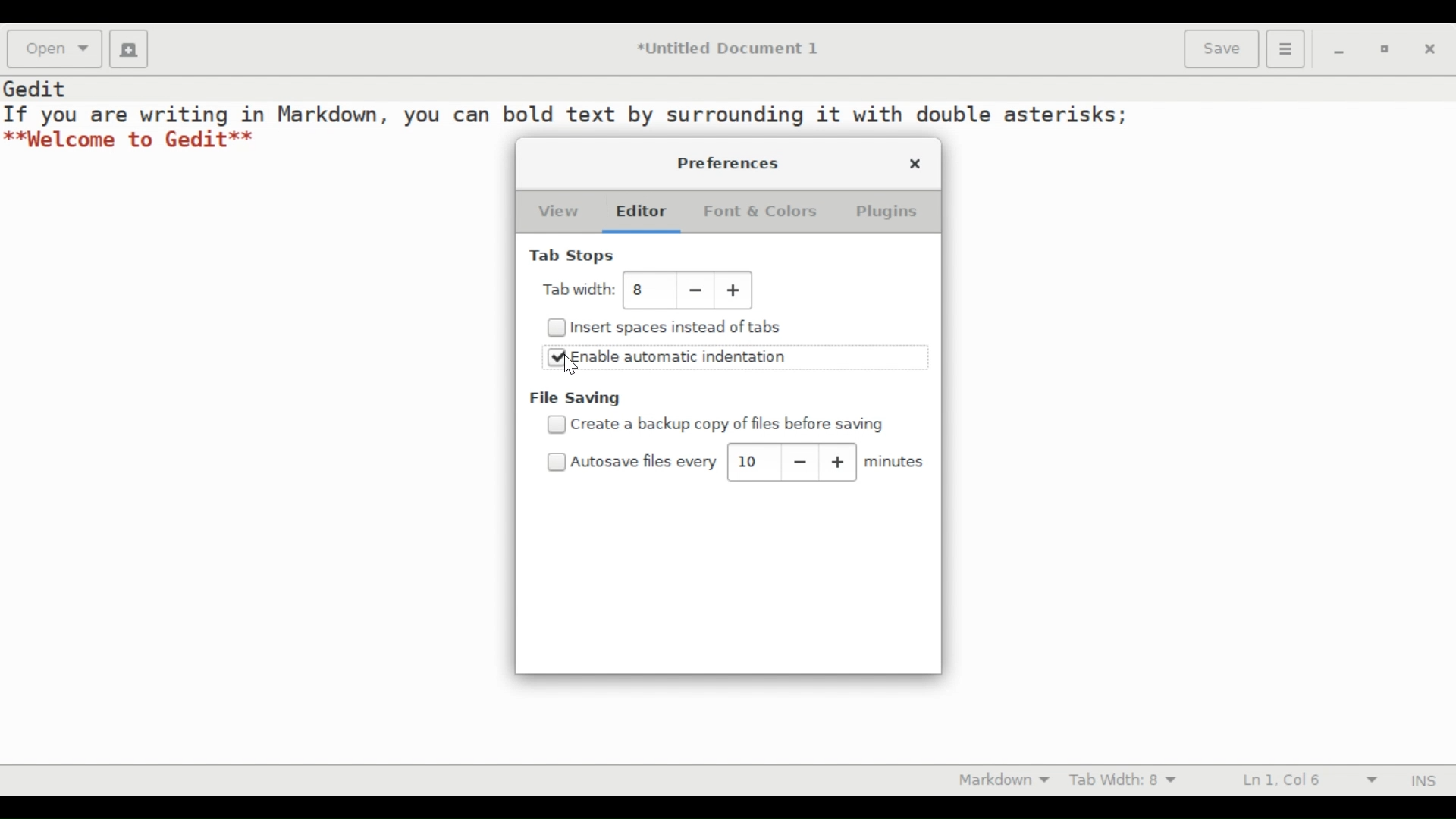 This screenshot has width=1456, height=819. What do you see at coordinates (734, 292) in the screenshot?
I see `Increase tab width value` at bounding box center [734, 292].